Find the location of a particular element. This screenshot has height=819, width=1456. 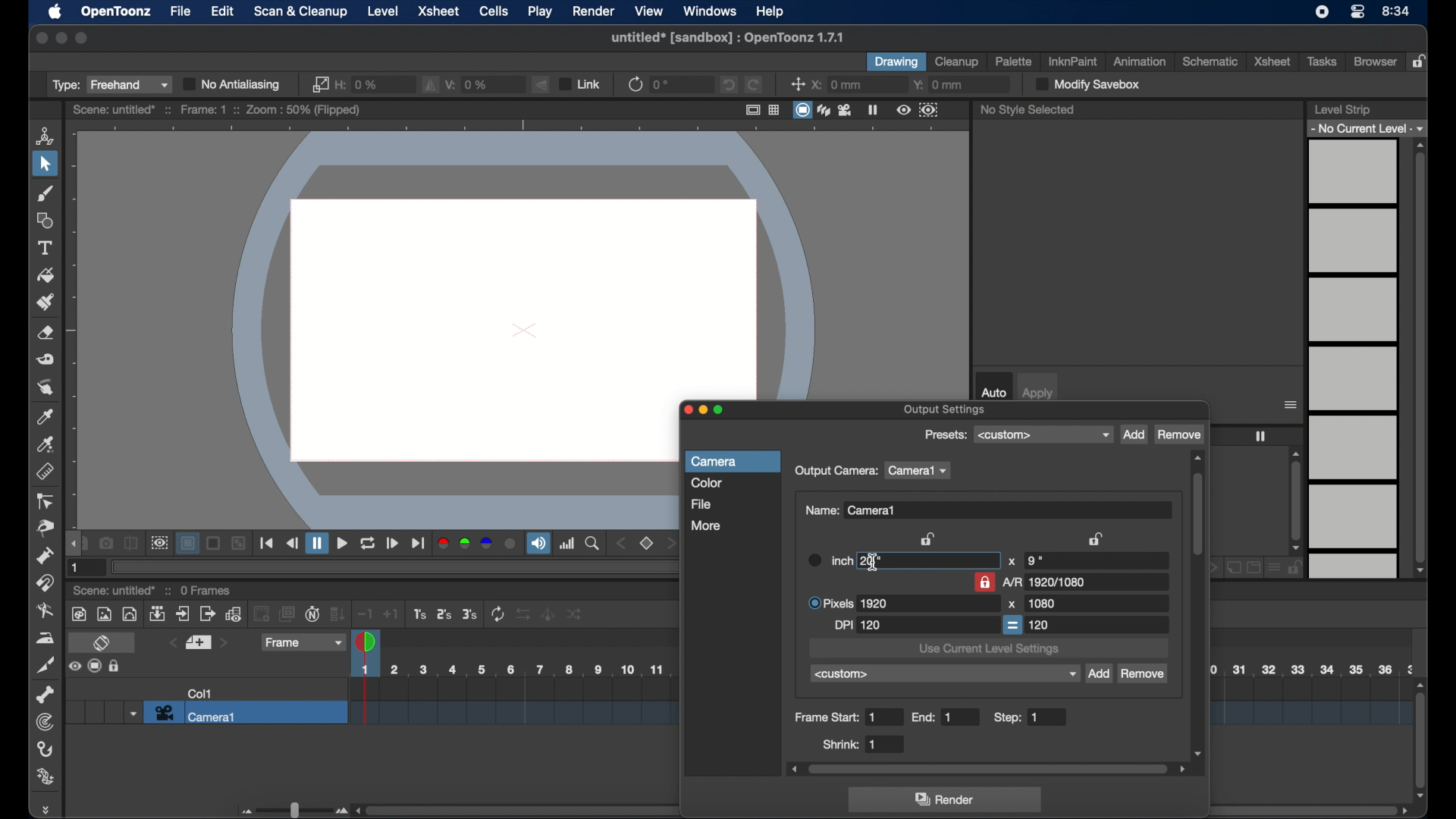

 is located at coordinates (313, 614).